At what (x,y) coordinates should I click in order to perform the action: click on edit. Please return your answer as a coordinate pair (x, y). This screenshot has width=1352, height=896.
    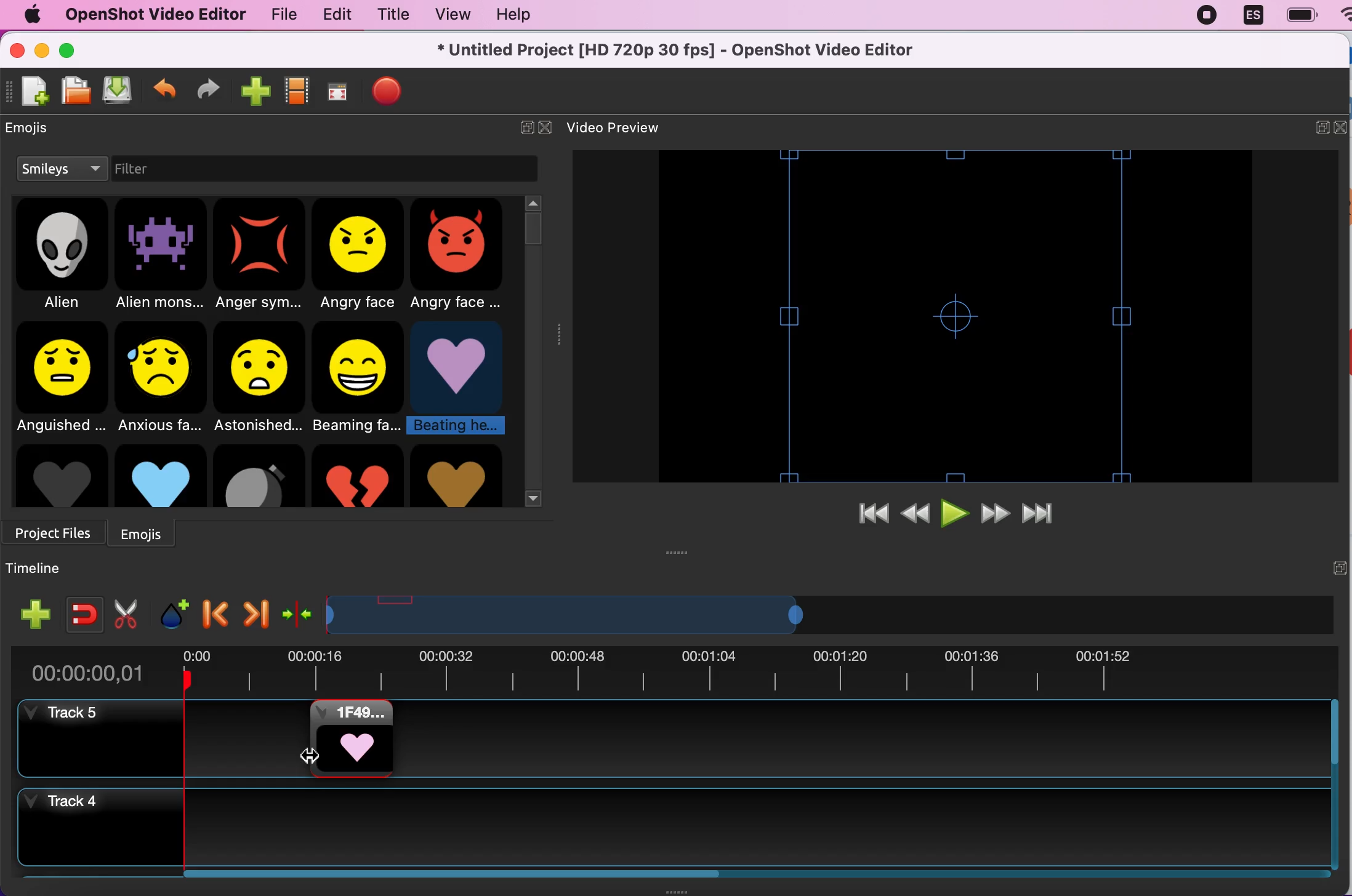
    Looking at the image, I should click on (332, 14).